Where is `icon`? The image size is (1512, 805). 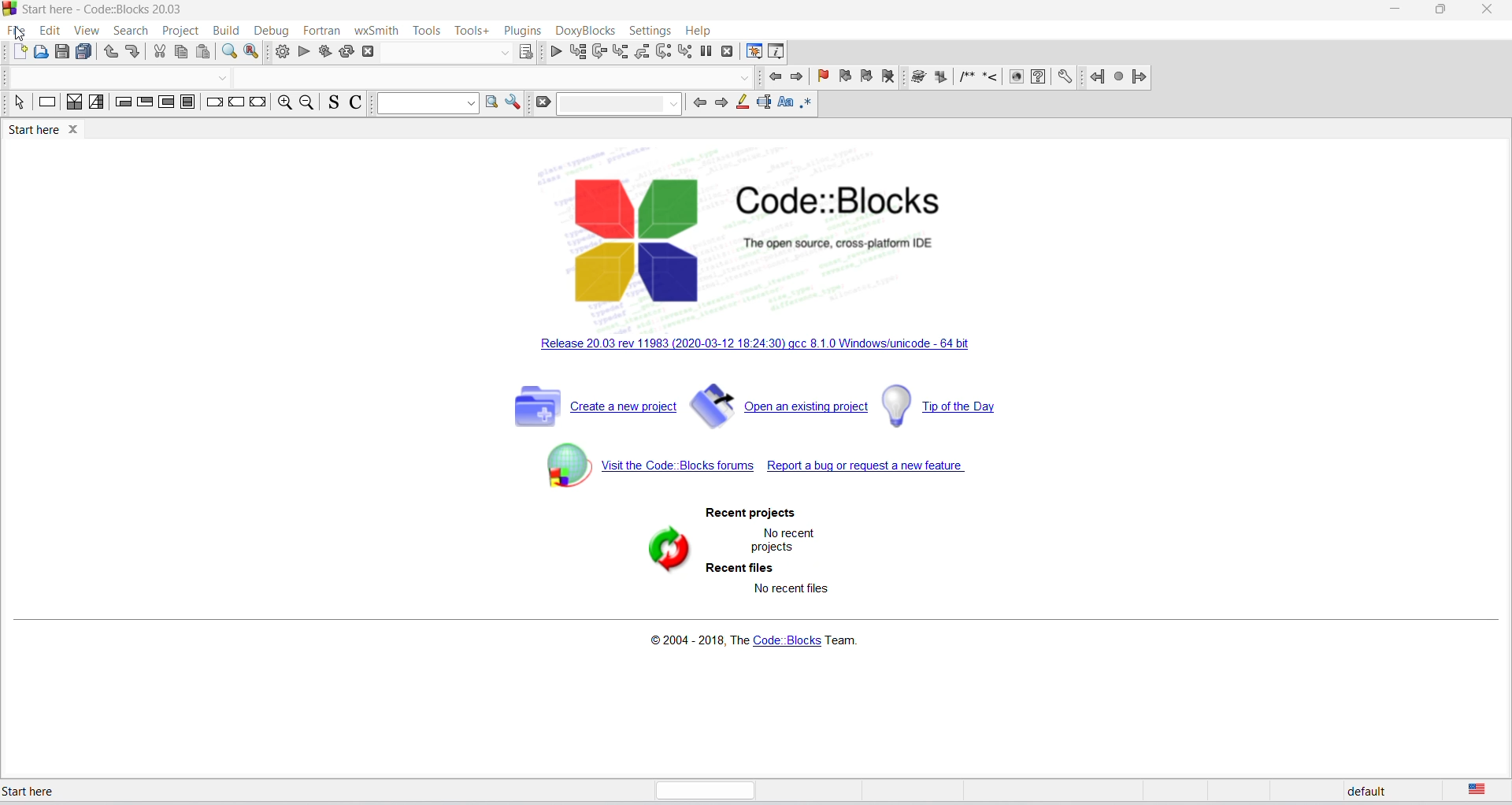
icon is located at coordinates (966, 78).